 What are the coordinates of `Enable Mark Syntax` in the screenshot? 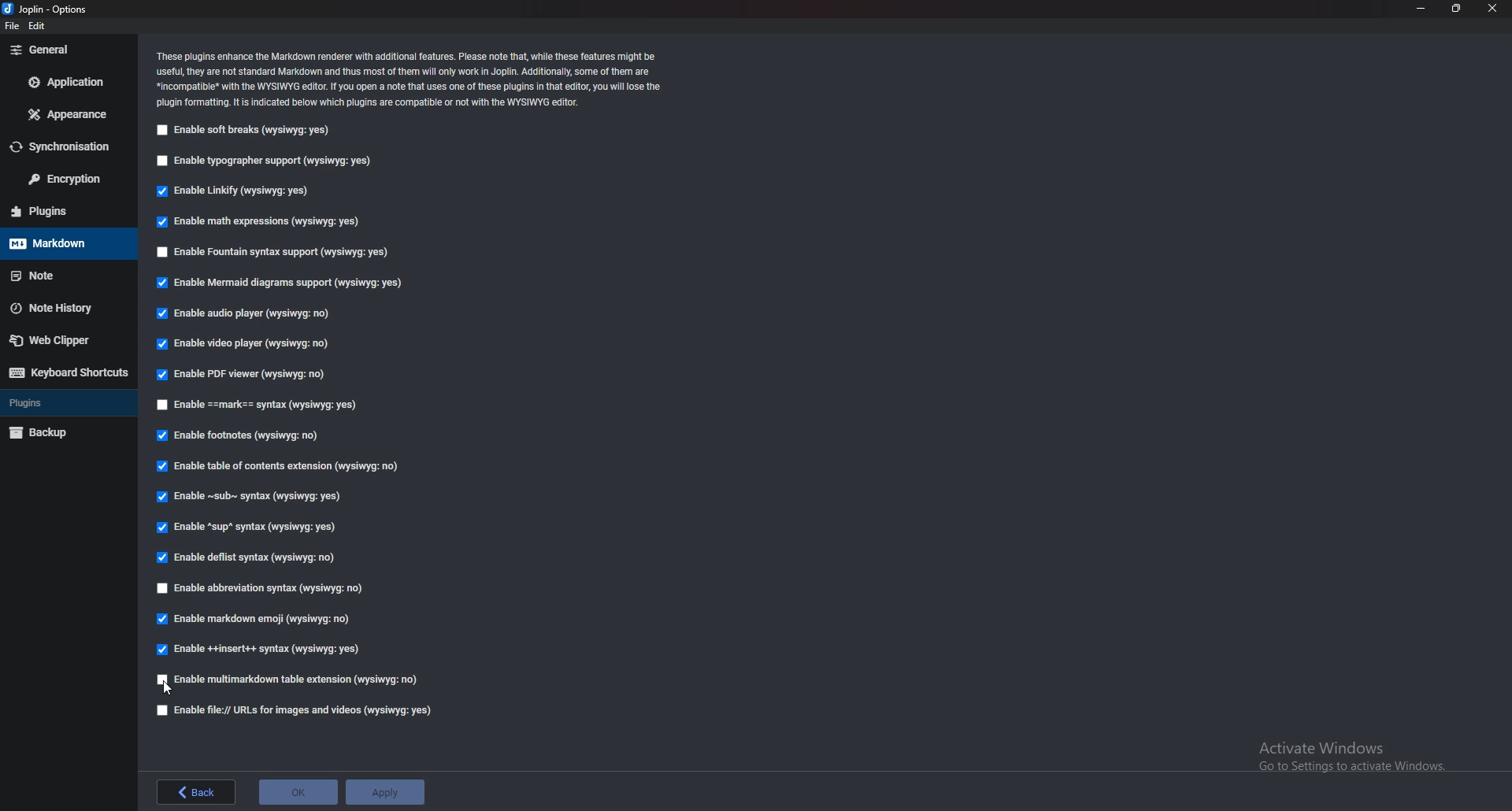 It's located at (258, 405).